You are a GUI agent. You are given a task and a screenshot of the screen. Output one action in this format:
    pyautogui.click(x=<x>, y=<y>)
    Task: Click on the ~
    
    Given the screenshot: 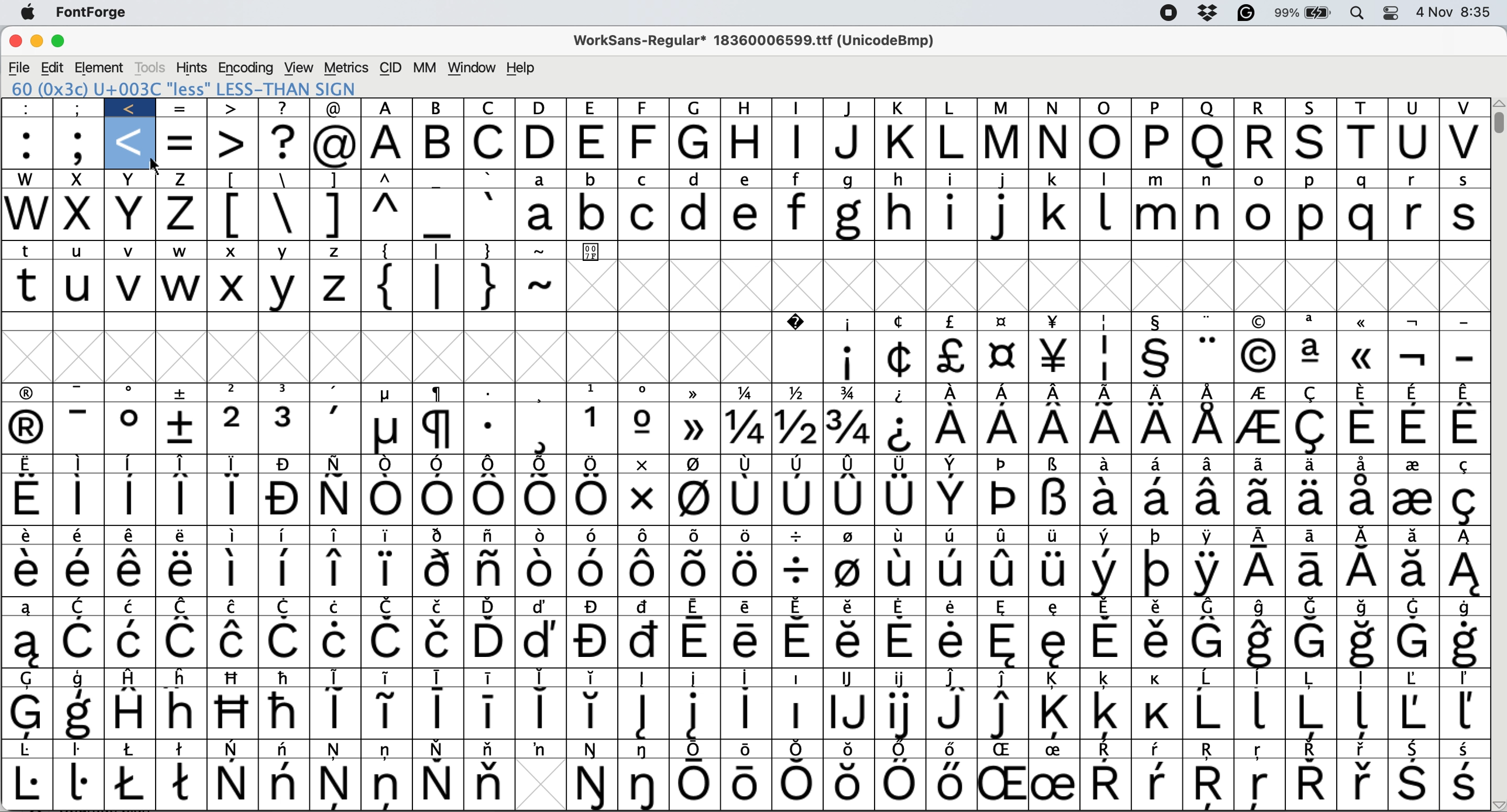 What is the action you would take?
    pyautogui.click(x=540, y=286)
    